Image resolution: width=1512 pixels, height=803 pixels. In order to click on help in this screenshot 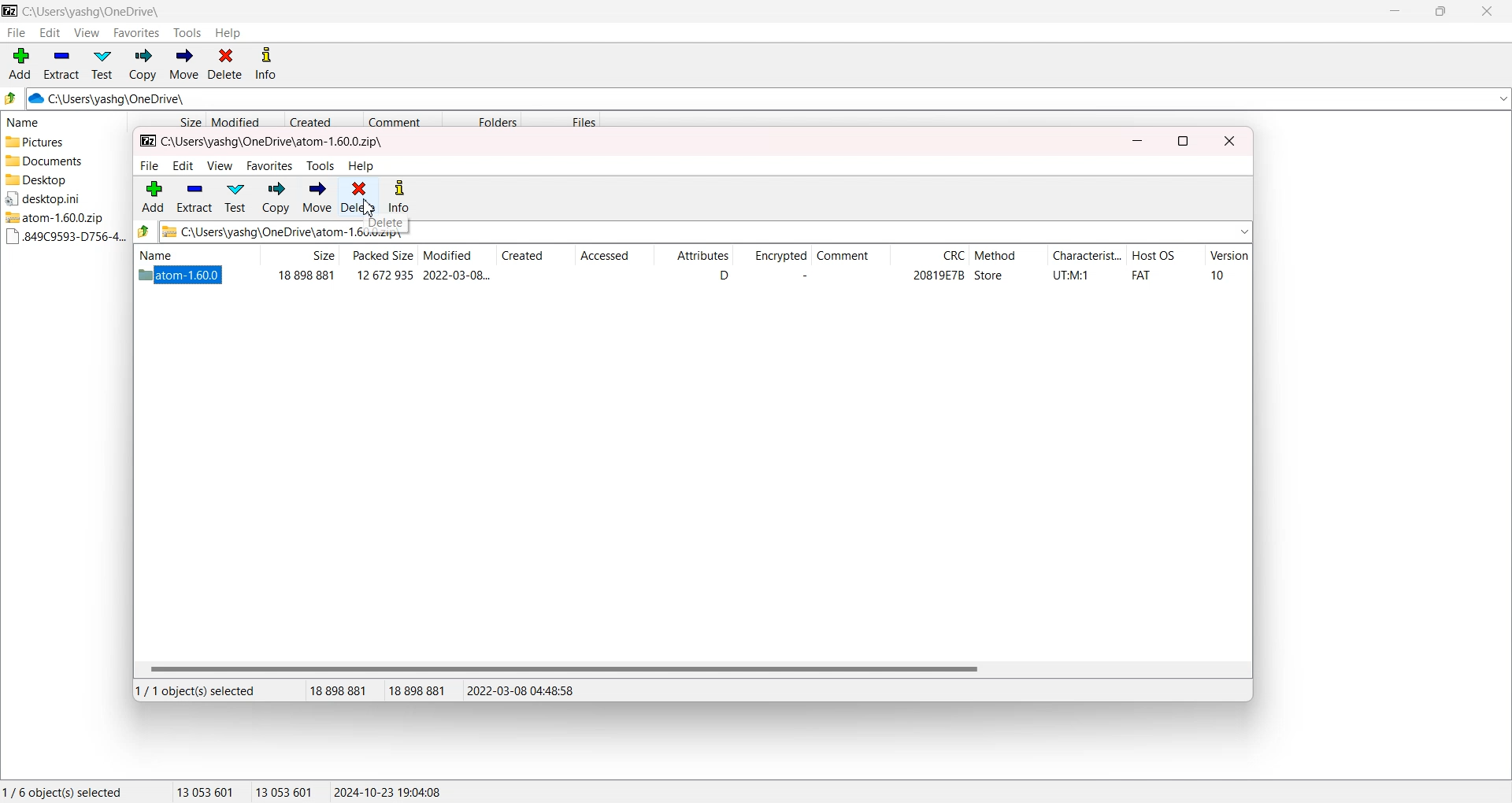, I will do `click(362, 166)`.